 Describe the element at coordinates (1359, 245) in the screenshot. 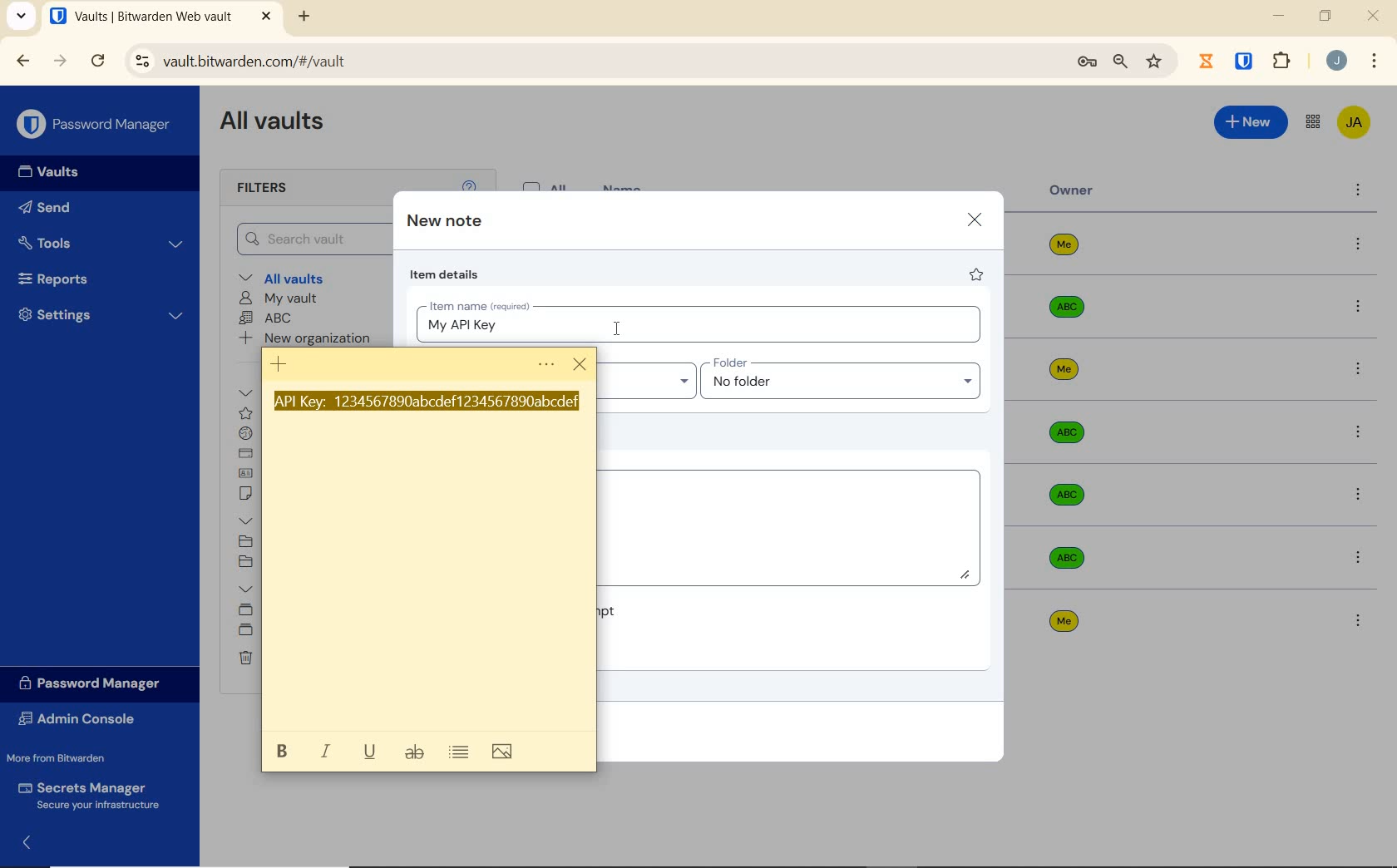

I see `more options` at that location.